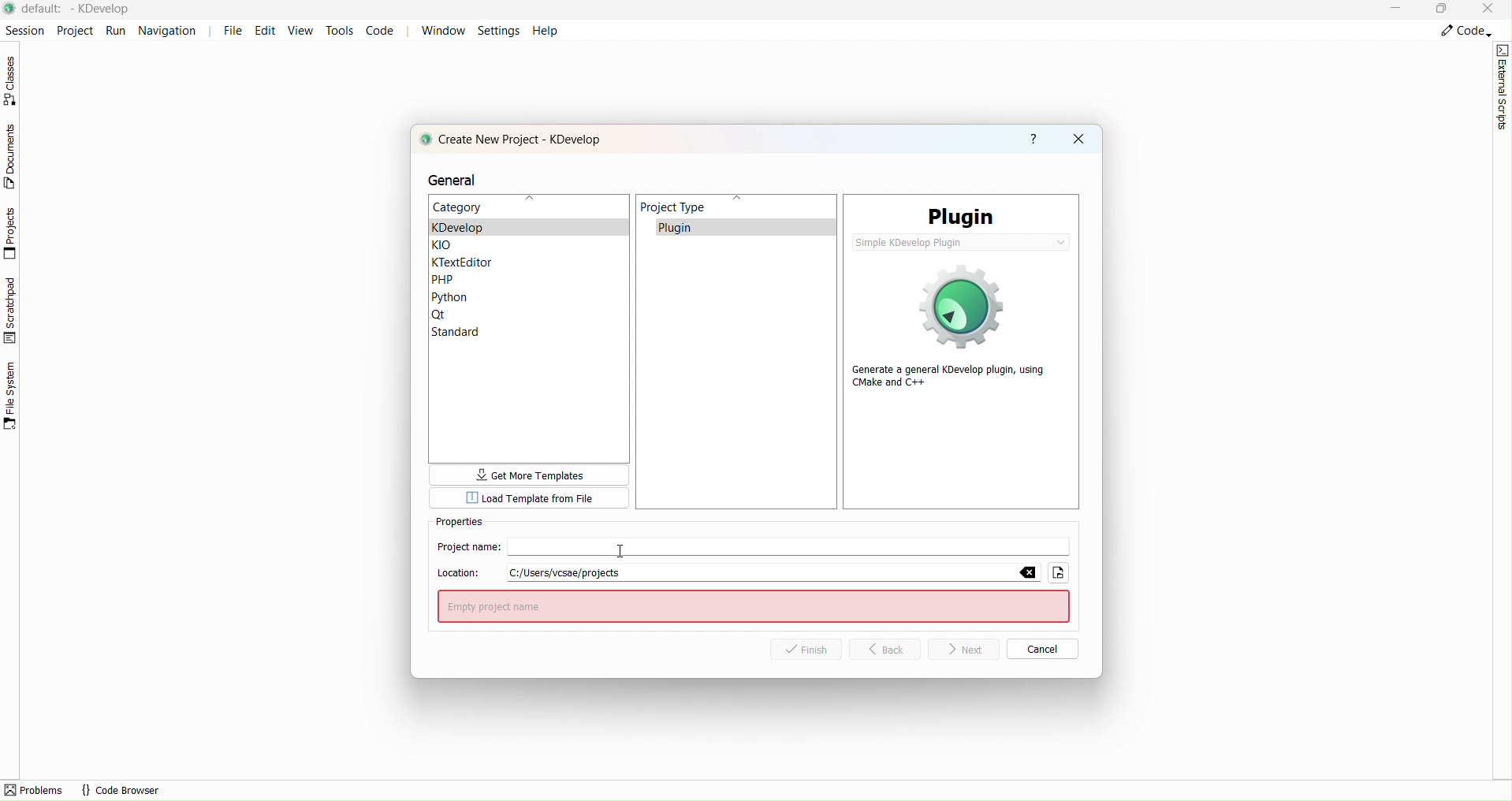  Describe the element at coordinates (460, 522) in the screenshot. I see `Properties` at that location.